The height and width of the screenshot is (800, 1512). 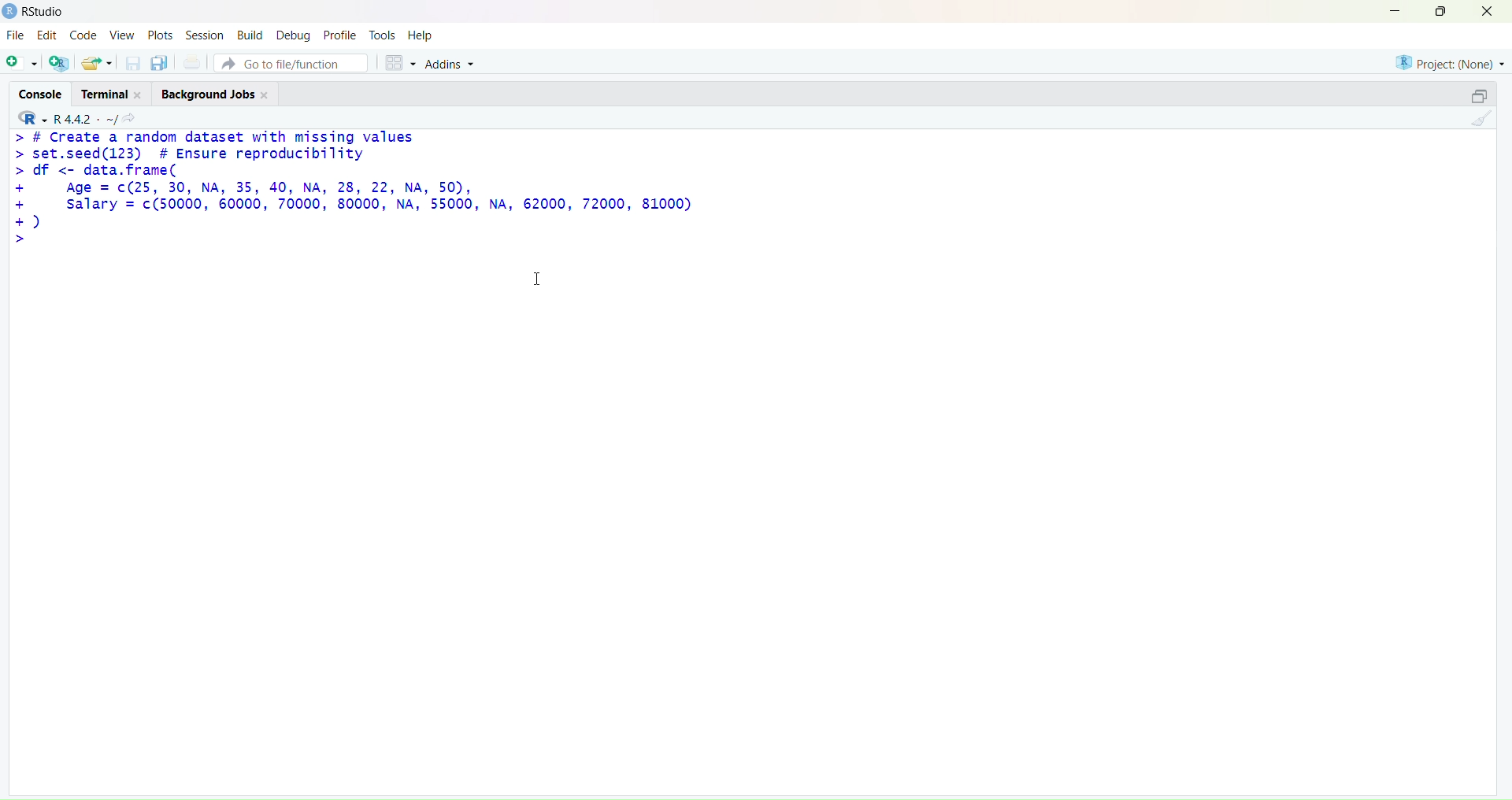 I want to click on open an existing file, so click(x=96, y=64).